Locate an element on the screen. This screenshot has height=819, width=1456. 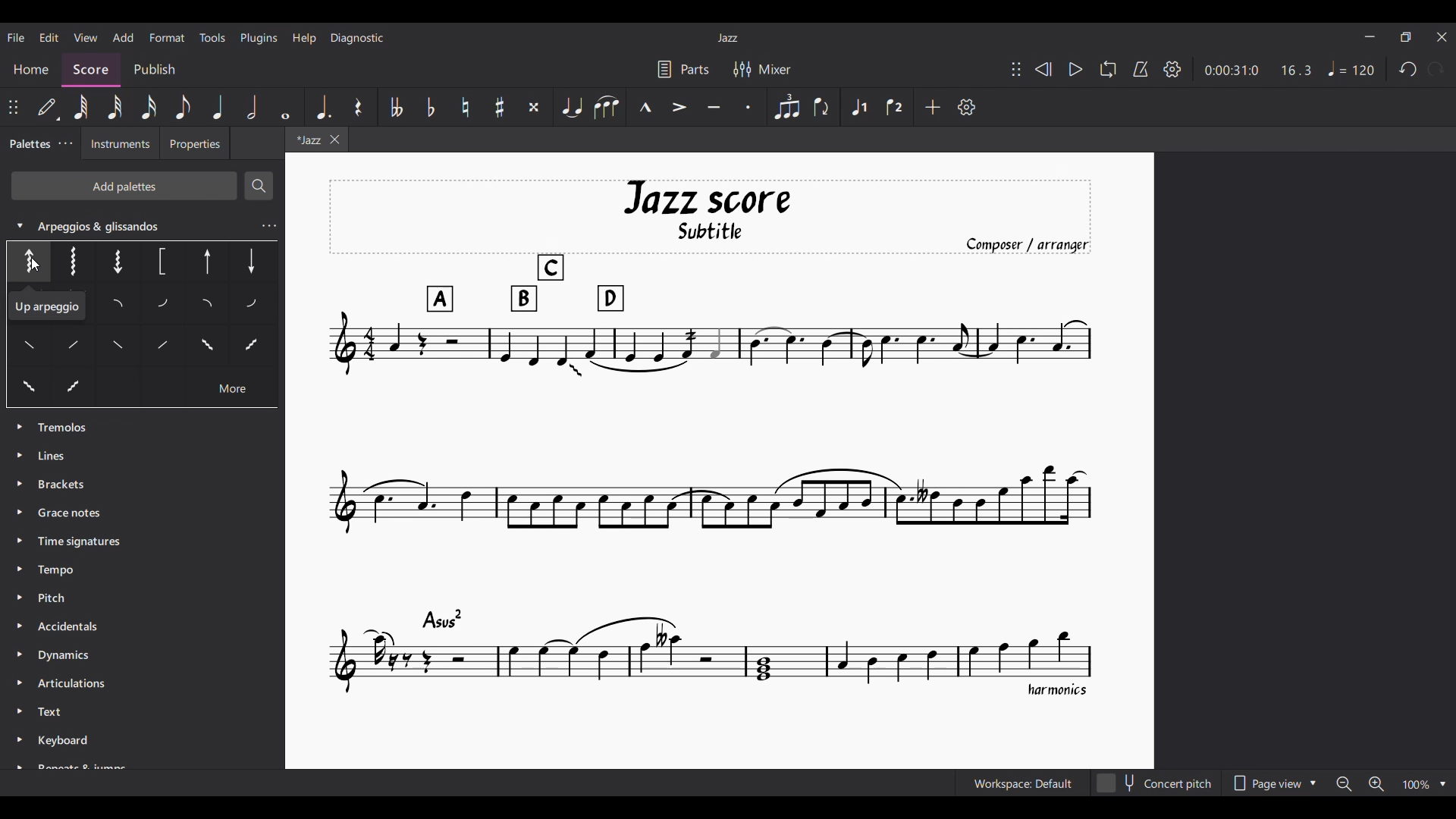
Toggle double sharp is located at coordinates (534, 108).